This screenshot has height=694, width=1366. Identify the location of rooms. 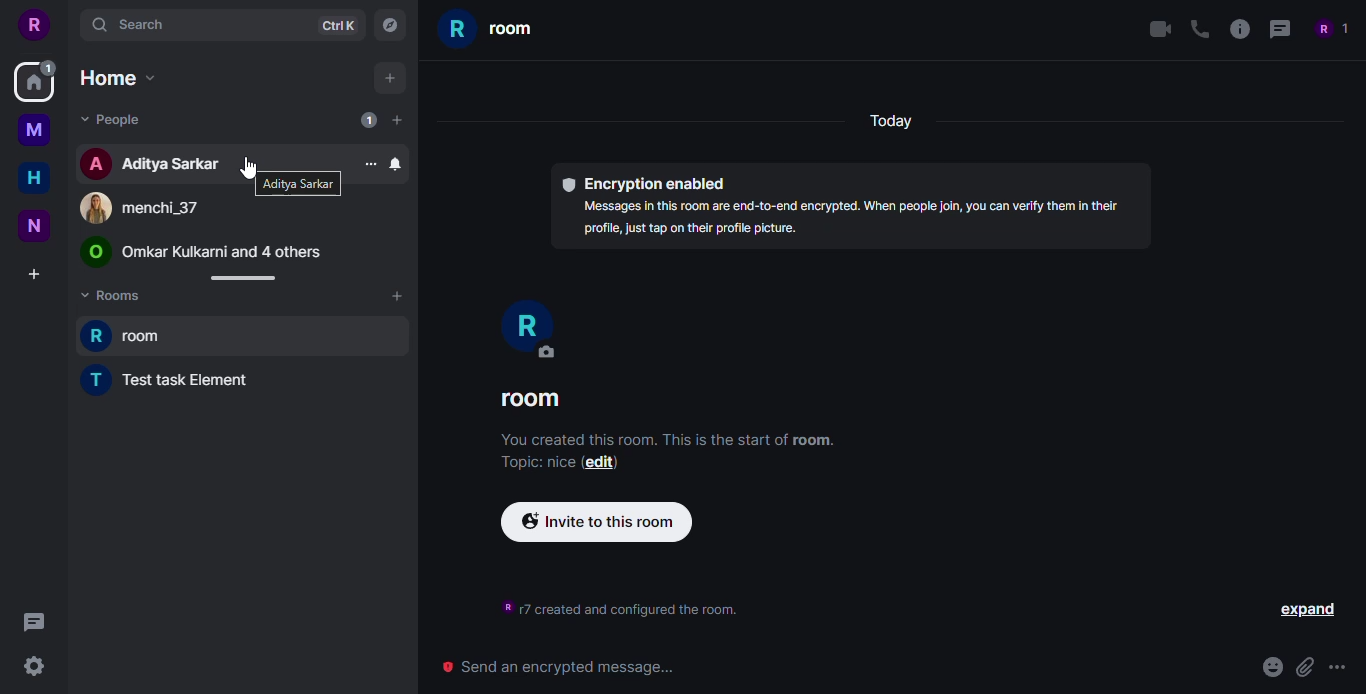
(116, 298).